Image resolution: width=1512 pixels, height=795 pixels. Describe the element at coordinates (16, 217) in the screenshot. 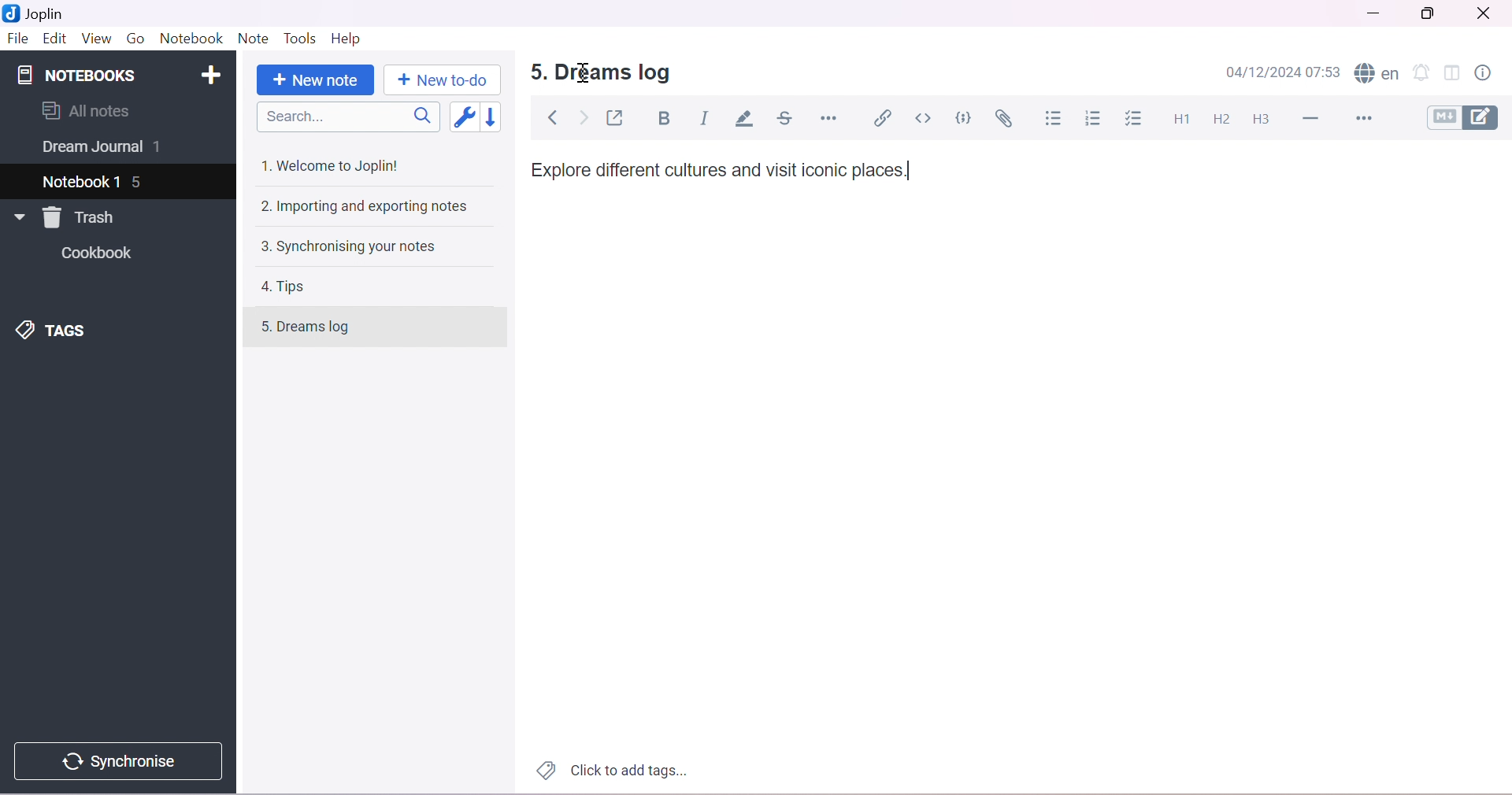

I see `Drop Down` at that location.